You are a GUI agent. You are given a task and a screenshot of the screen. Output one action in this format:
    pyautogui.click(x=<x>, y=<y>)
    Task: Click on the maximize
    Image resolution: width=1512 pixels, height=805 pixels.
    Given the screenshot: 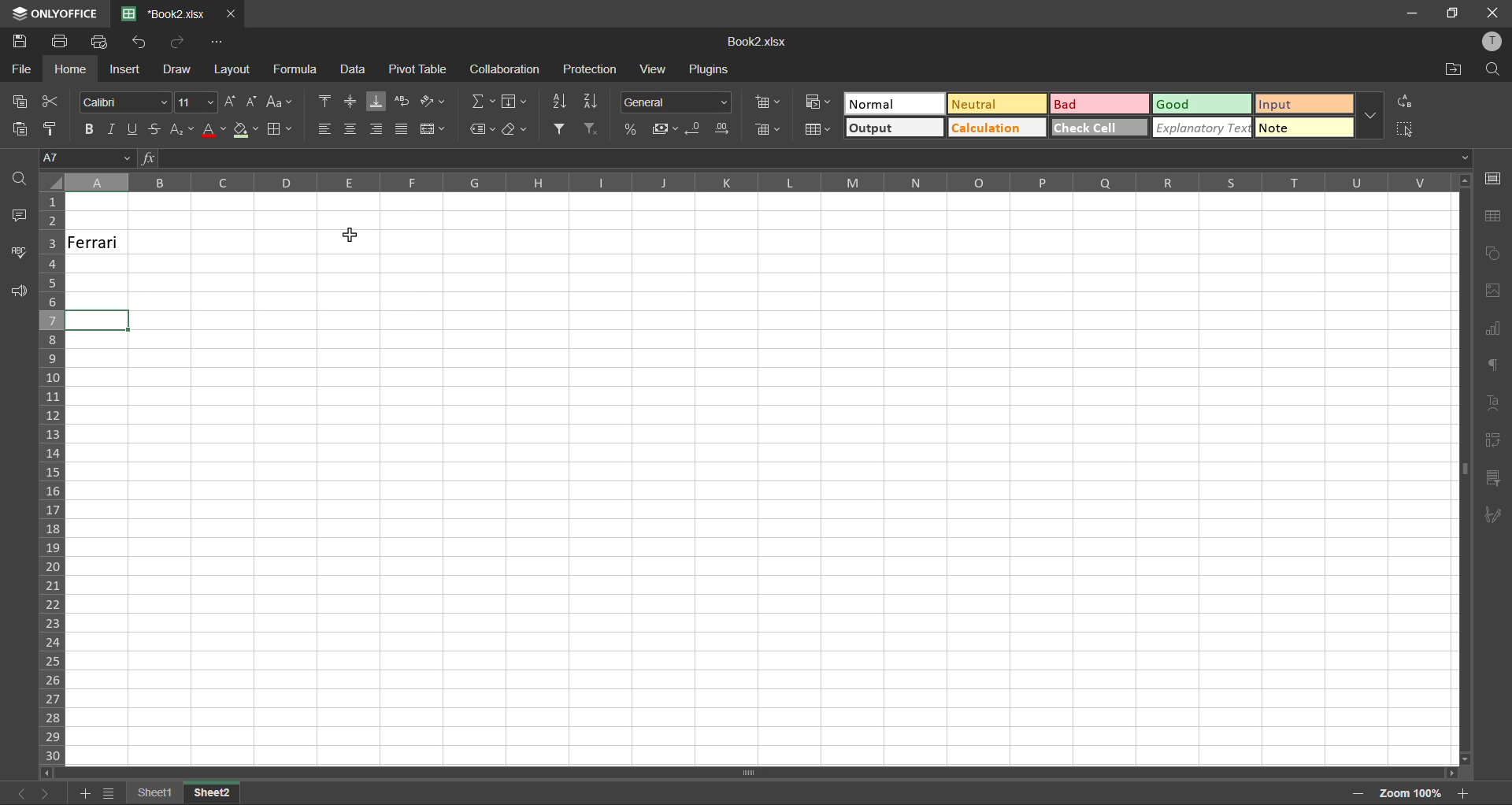 What is the action you would take?
    pyautogui.click(x=1451, y=13)
    